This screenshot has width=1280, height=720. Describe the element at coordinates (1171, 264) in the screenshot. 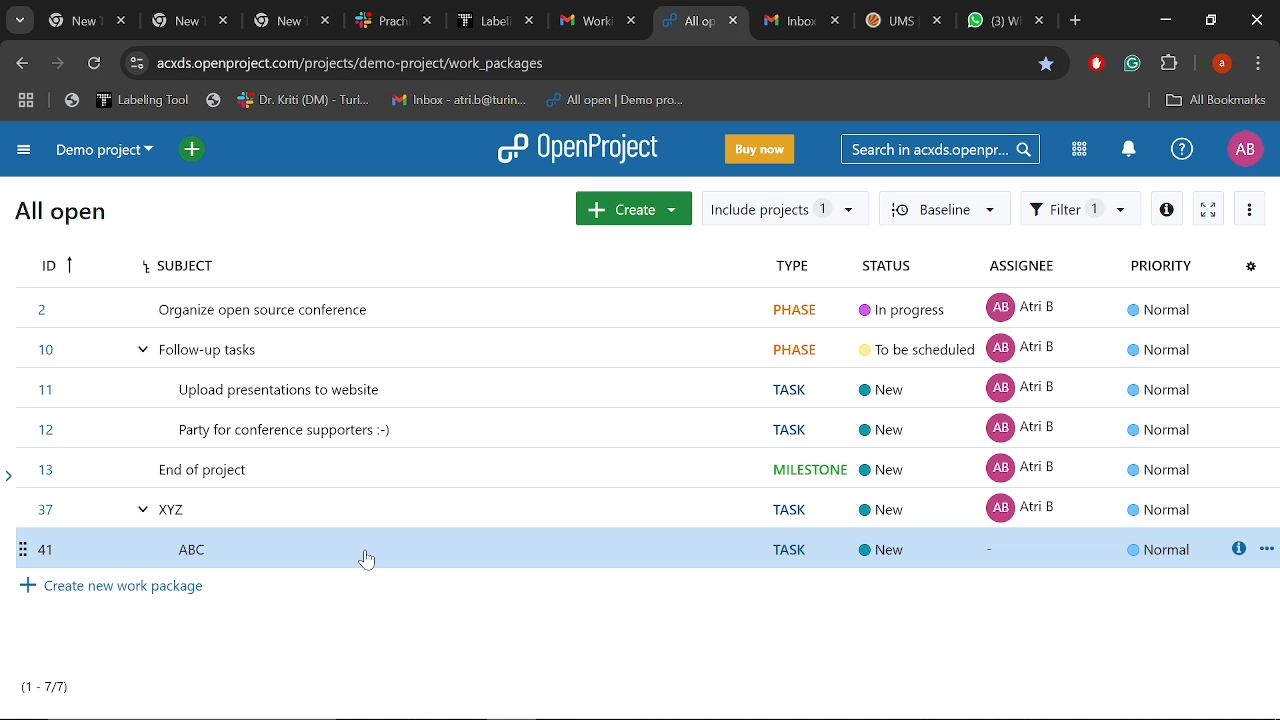

I see `Priority` at that location.